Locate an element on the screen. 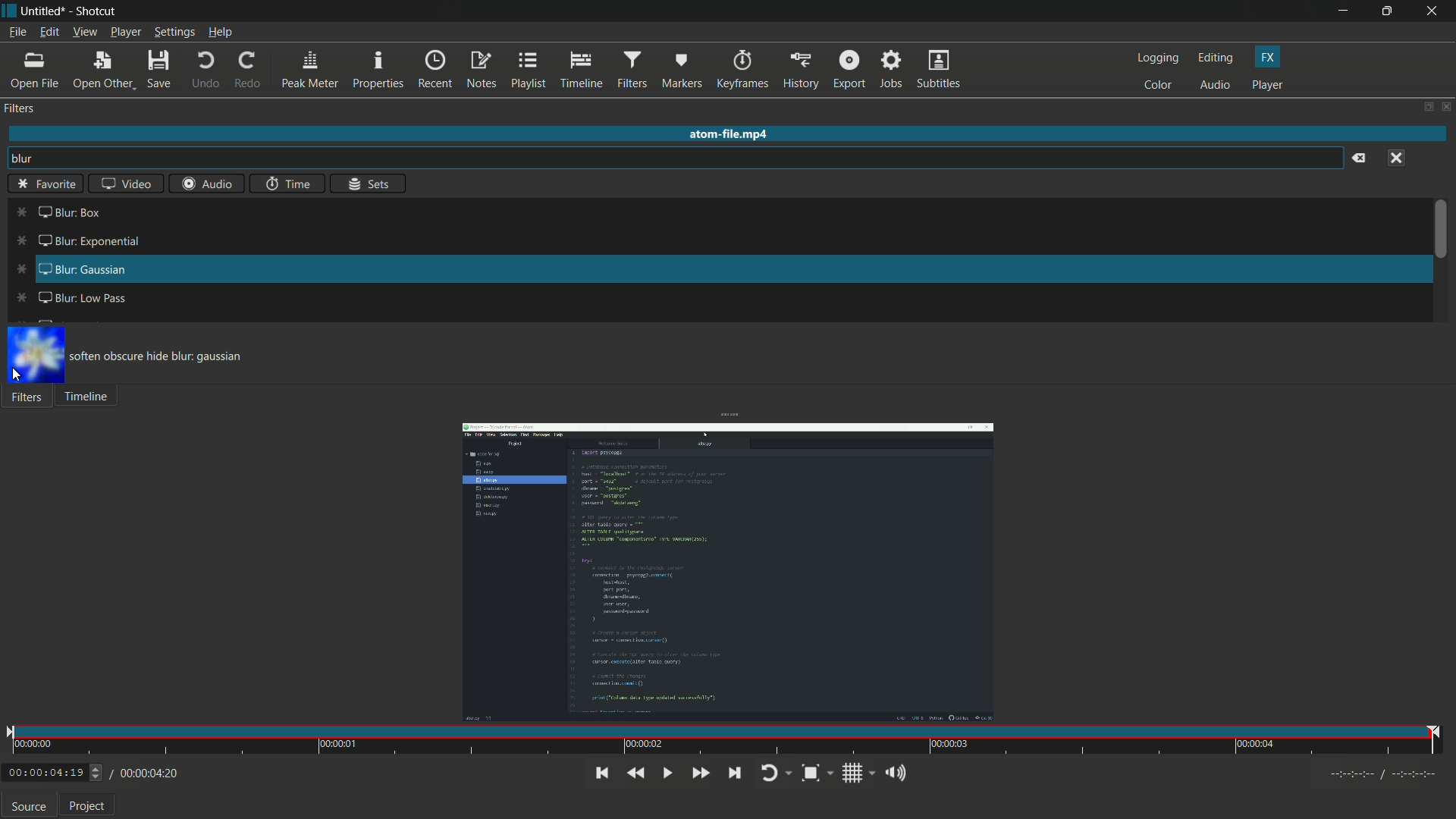  filters is located at coordinates (630, 71).